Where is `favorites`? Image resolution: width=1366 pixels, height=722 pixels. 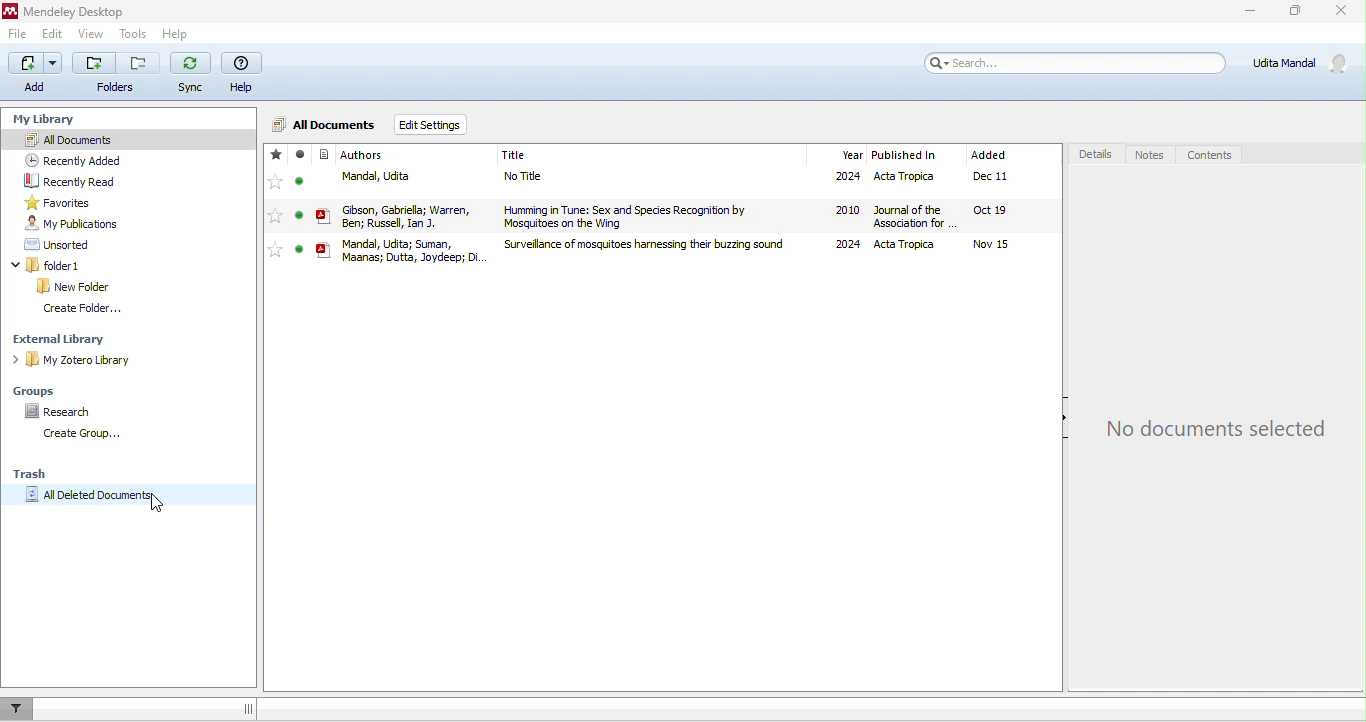 favorites is located at coordinates (276, 204).